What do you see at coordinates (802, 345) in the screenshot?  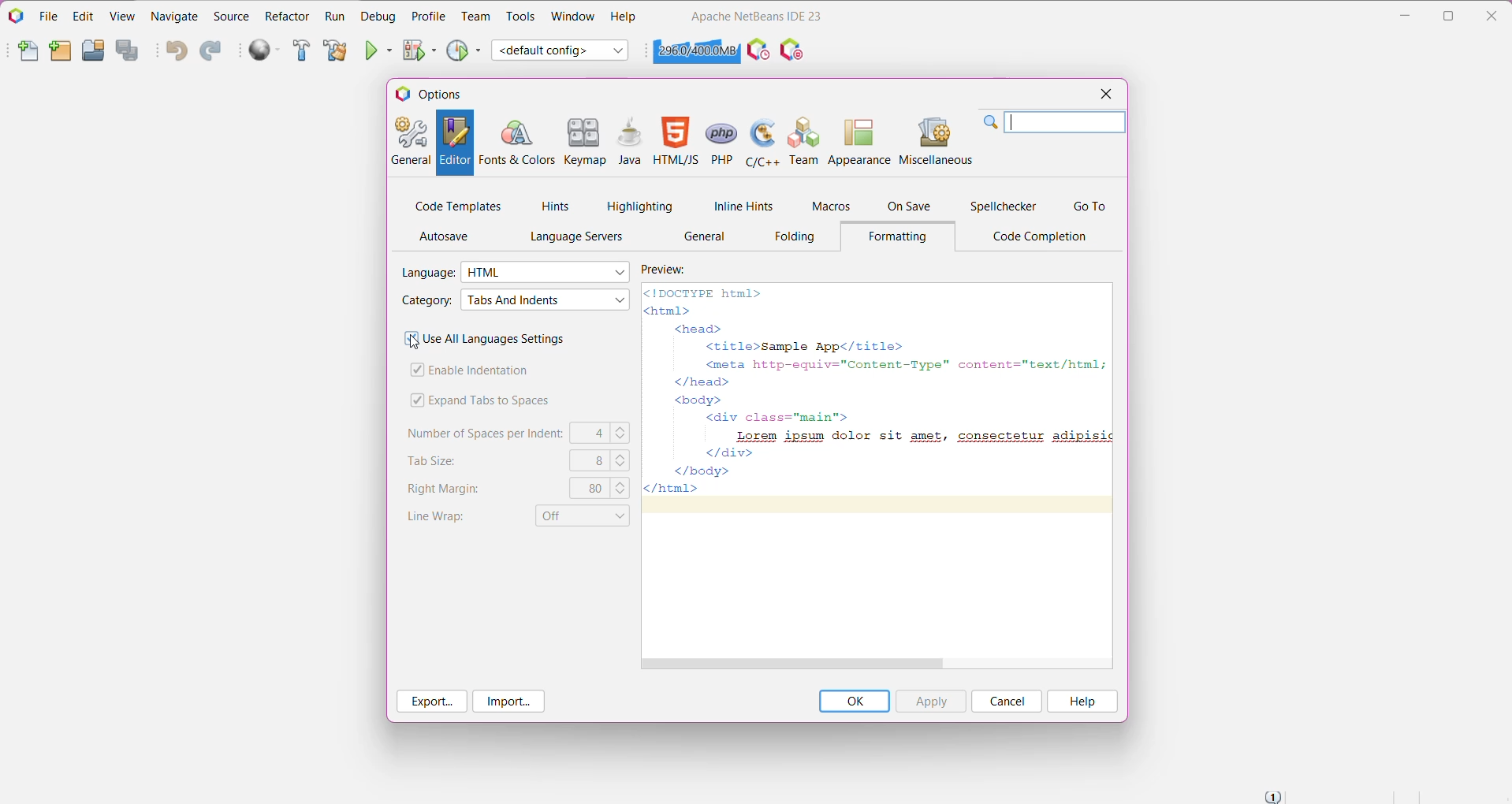 I see `<title>Sample App</title>` at bounding box center [802, 345].